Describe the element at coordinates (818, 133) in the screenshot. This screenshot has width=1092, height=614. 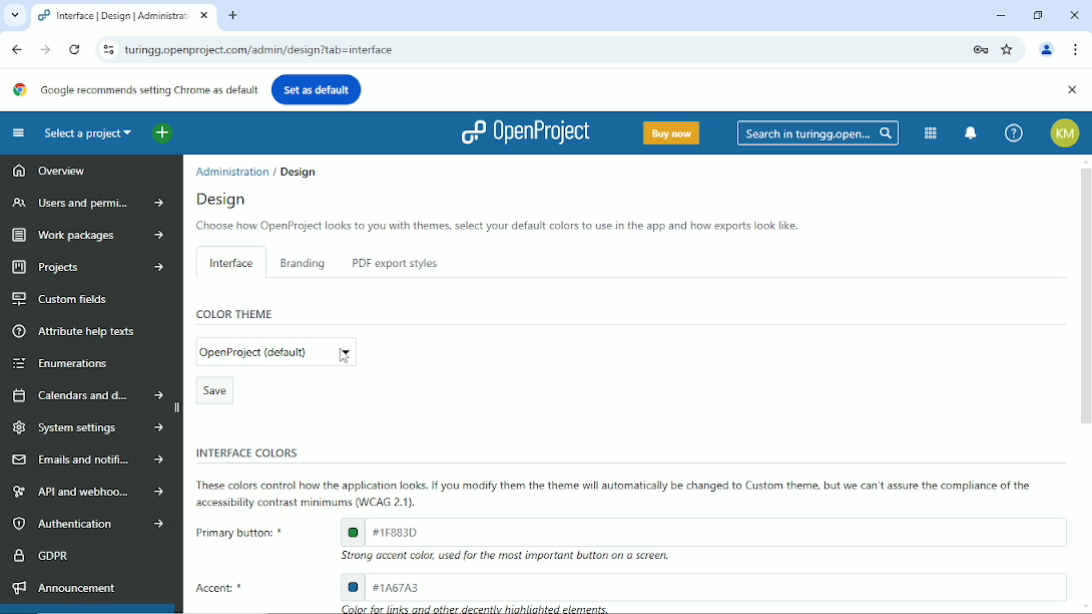
I see ` Search in turingg.open...` at that location.